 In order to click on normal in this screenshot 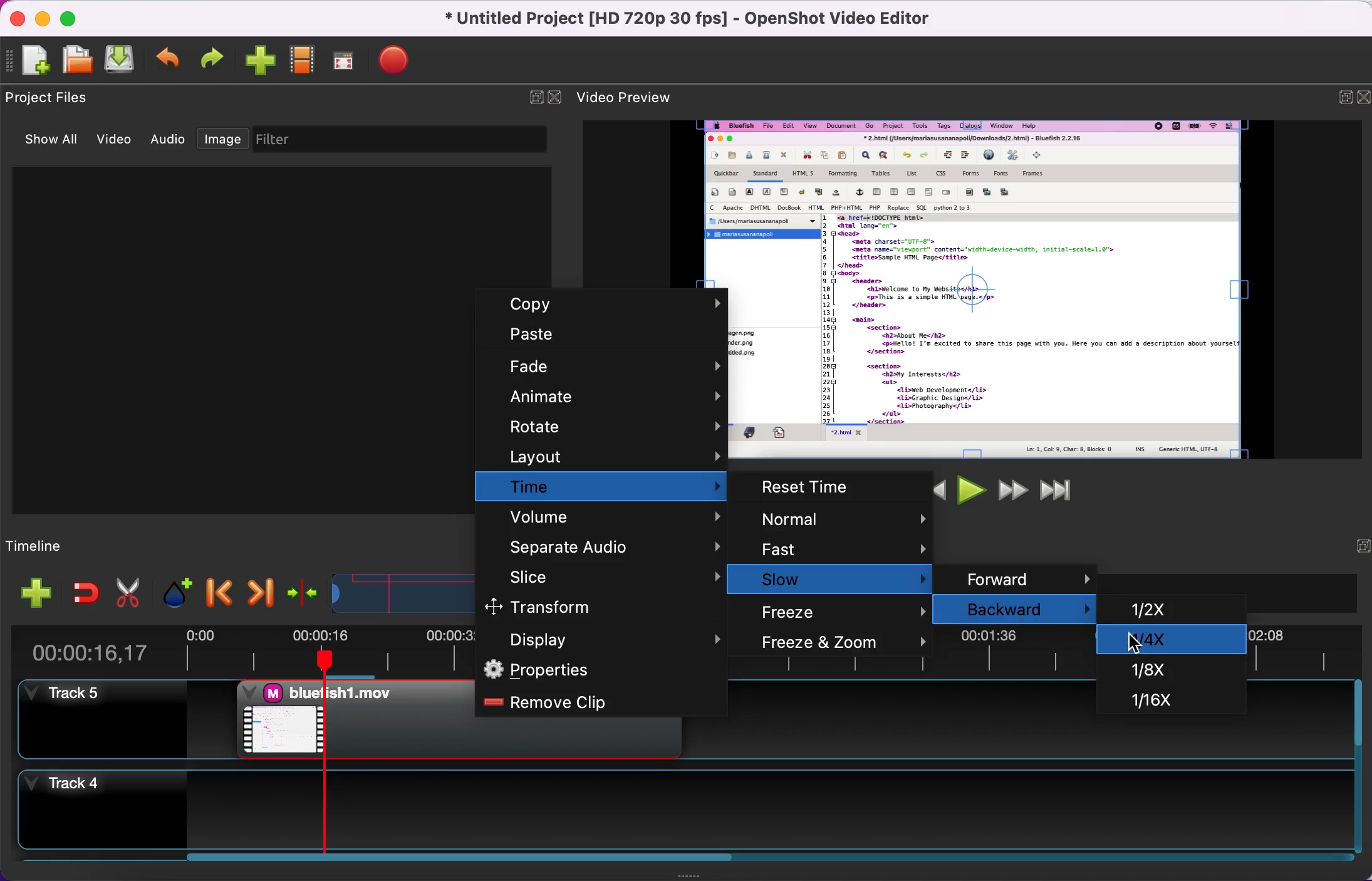, I will do `click(839, 520)`.